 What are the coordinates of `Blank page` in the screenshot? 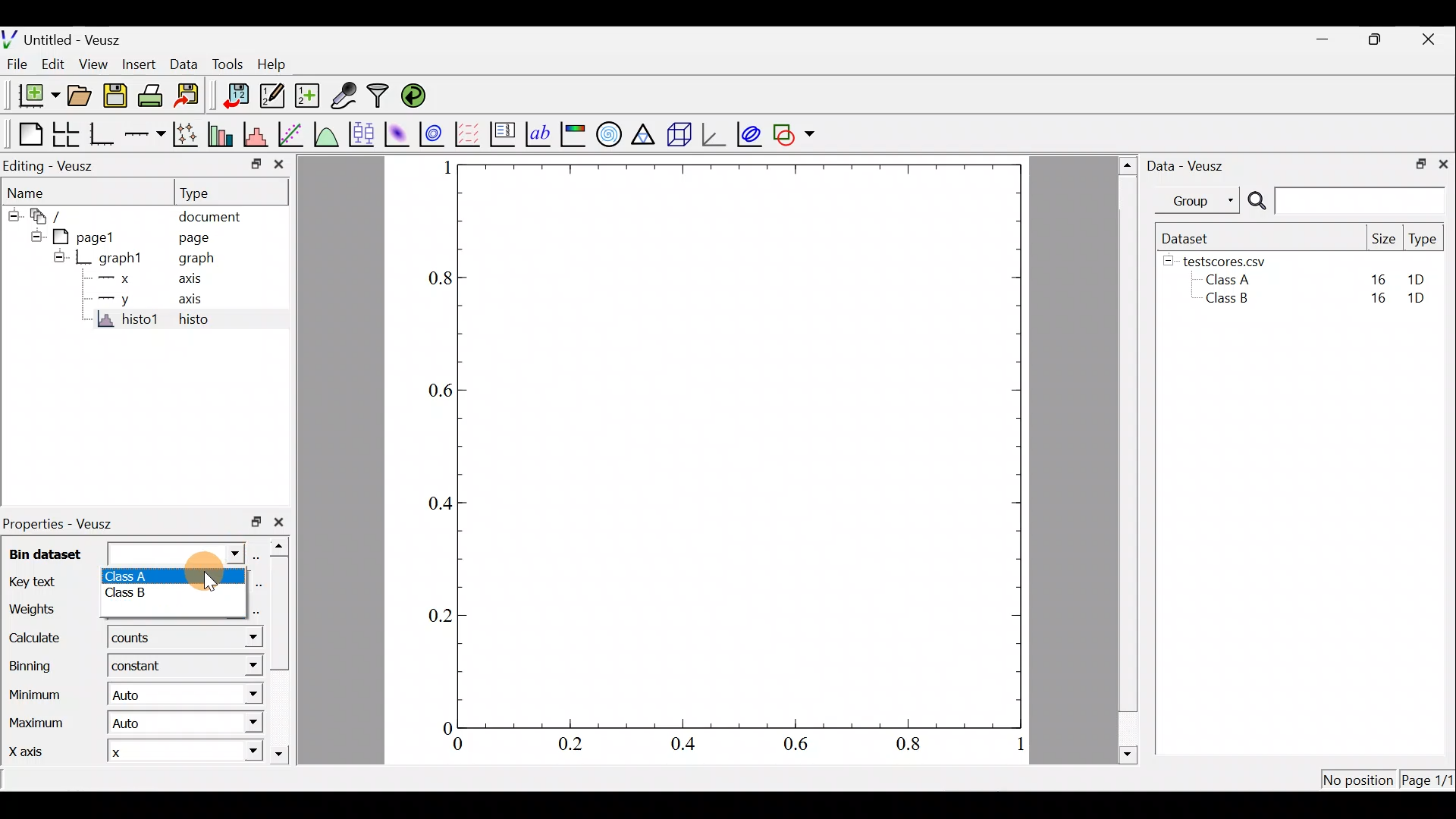 It's located at (24, 132).